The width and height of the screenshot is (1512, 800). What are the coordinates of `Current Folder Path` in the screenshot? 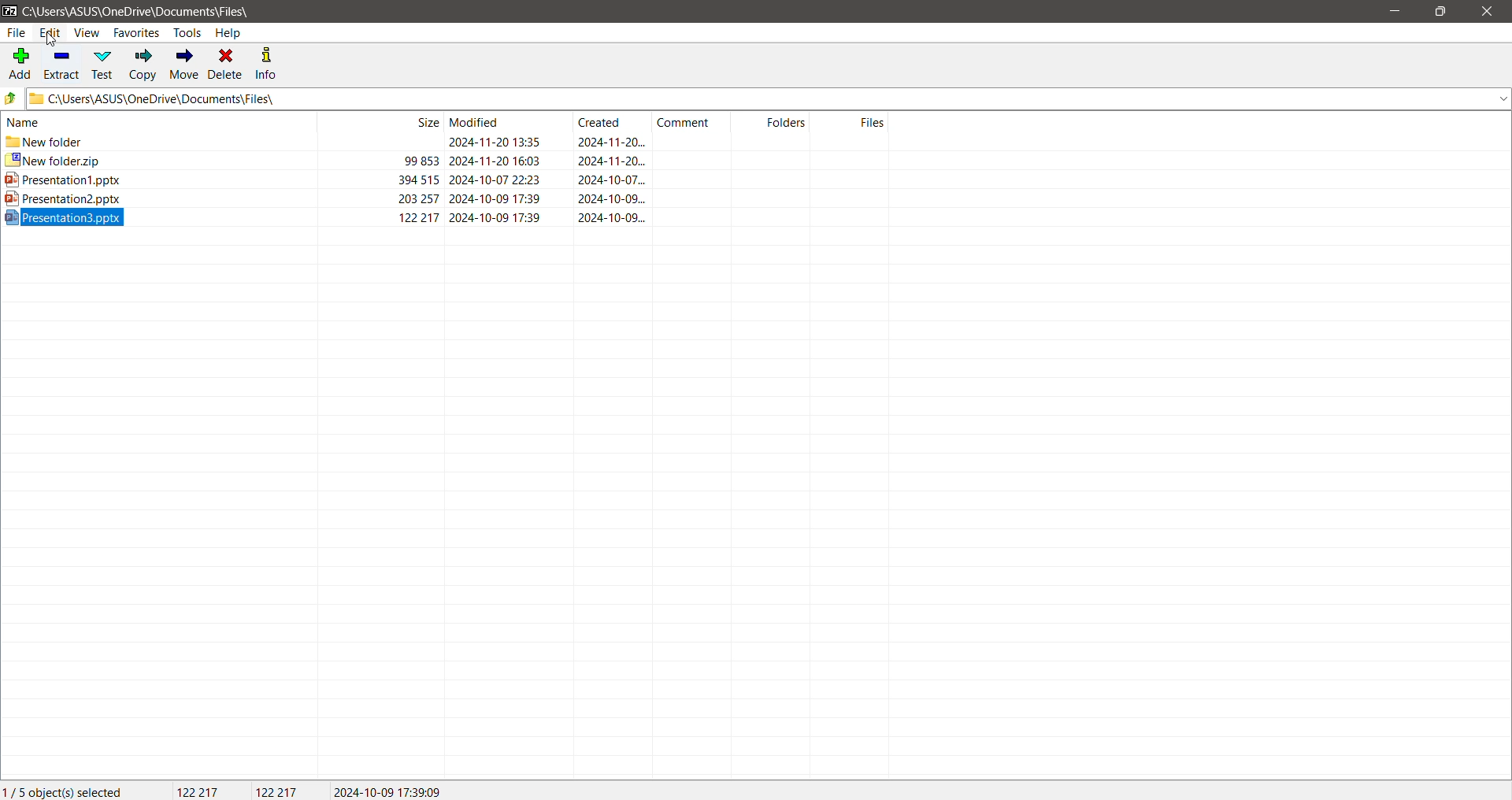 It's located at (139, 9).